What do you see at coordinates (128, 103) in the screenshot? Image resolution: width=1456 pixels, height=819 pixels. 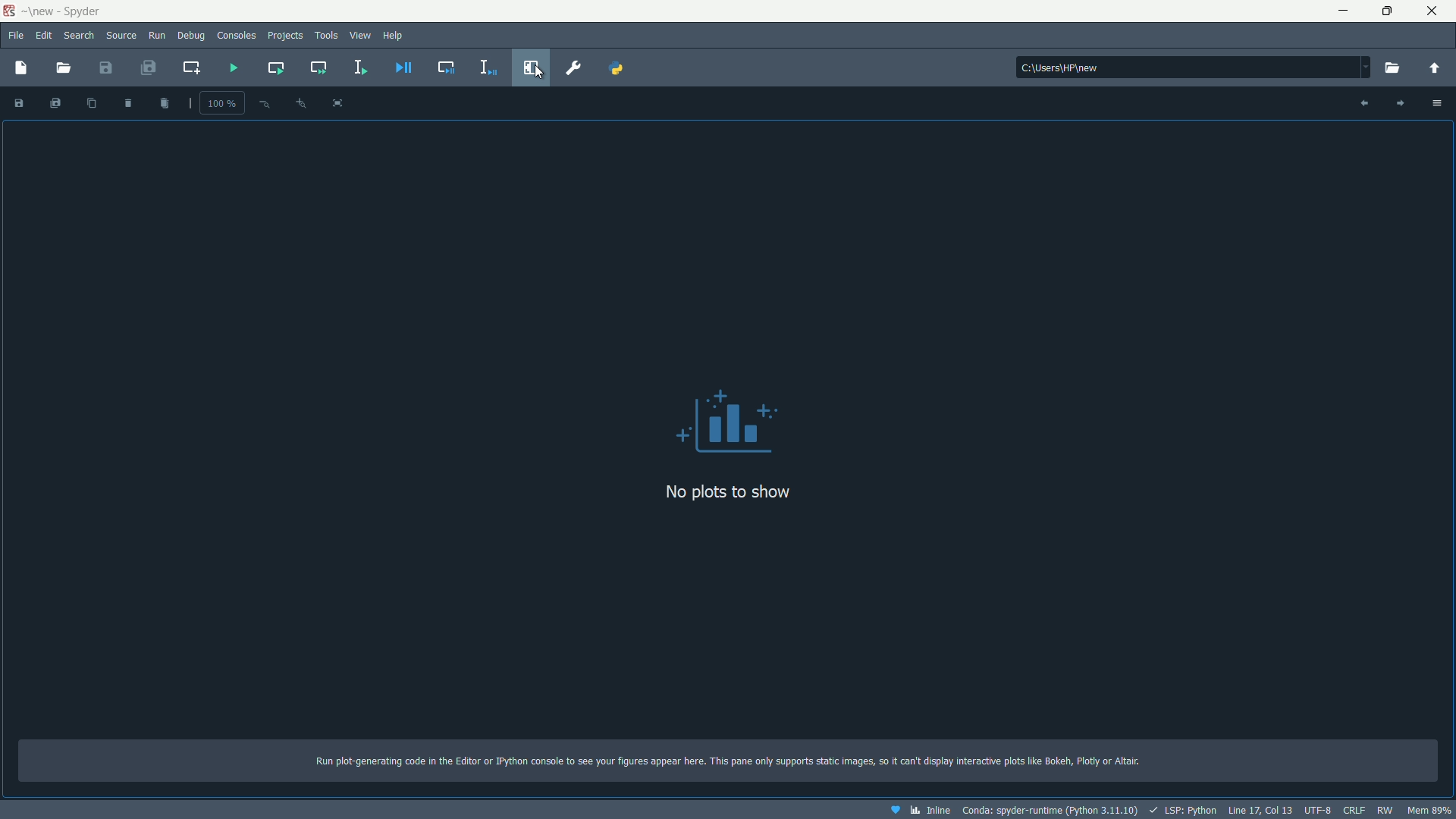 I see `remove plot` at bounding box center [128, 103].